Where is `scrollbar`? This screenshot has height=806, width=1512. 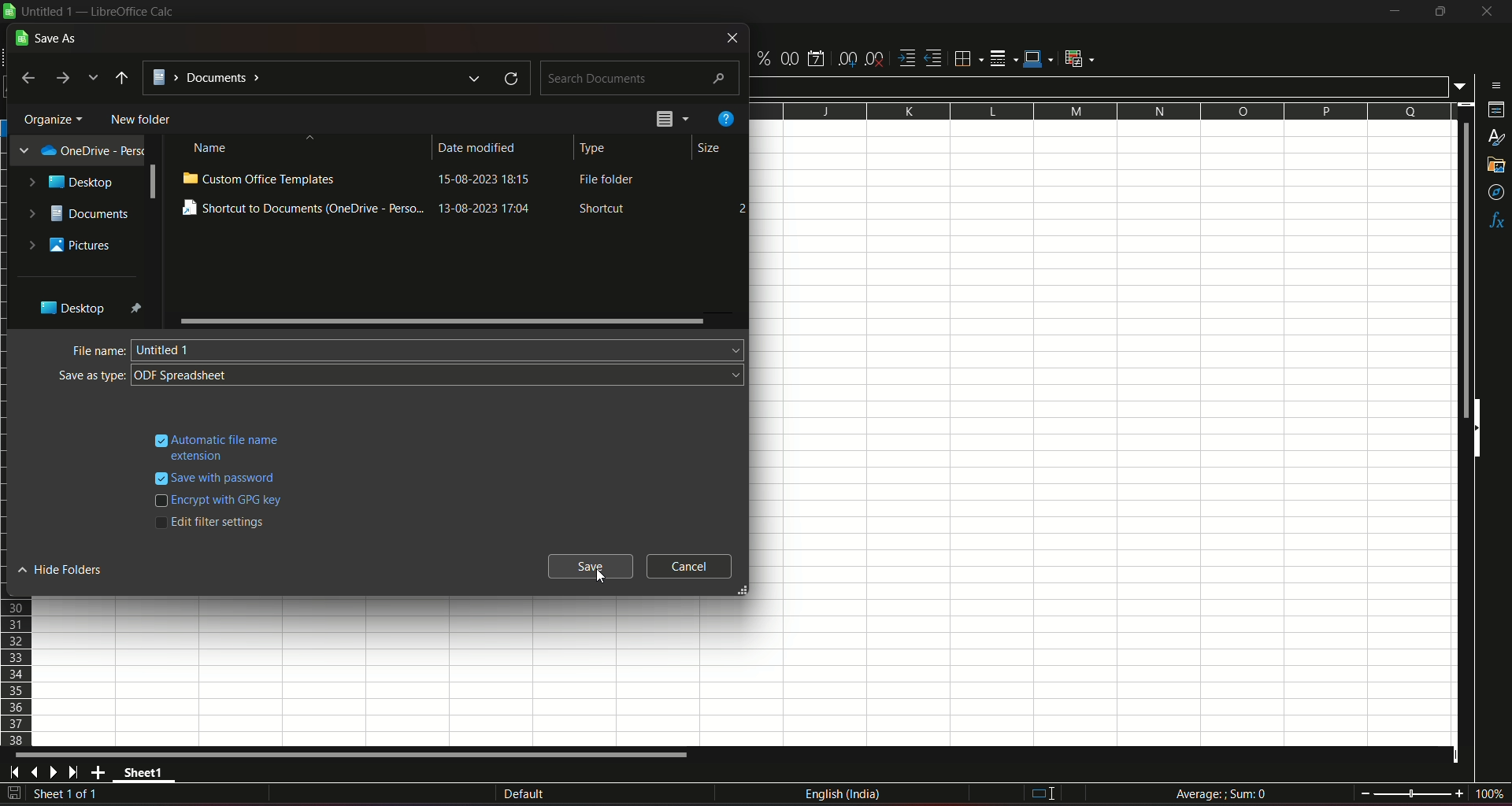
scrollbar is located at coordinates (152, 183).